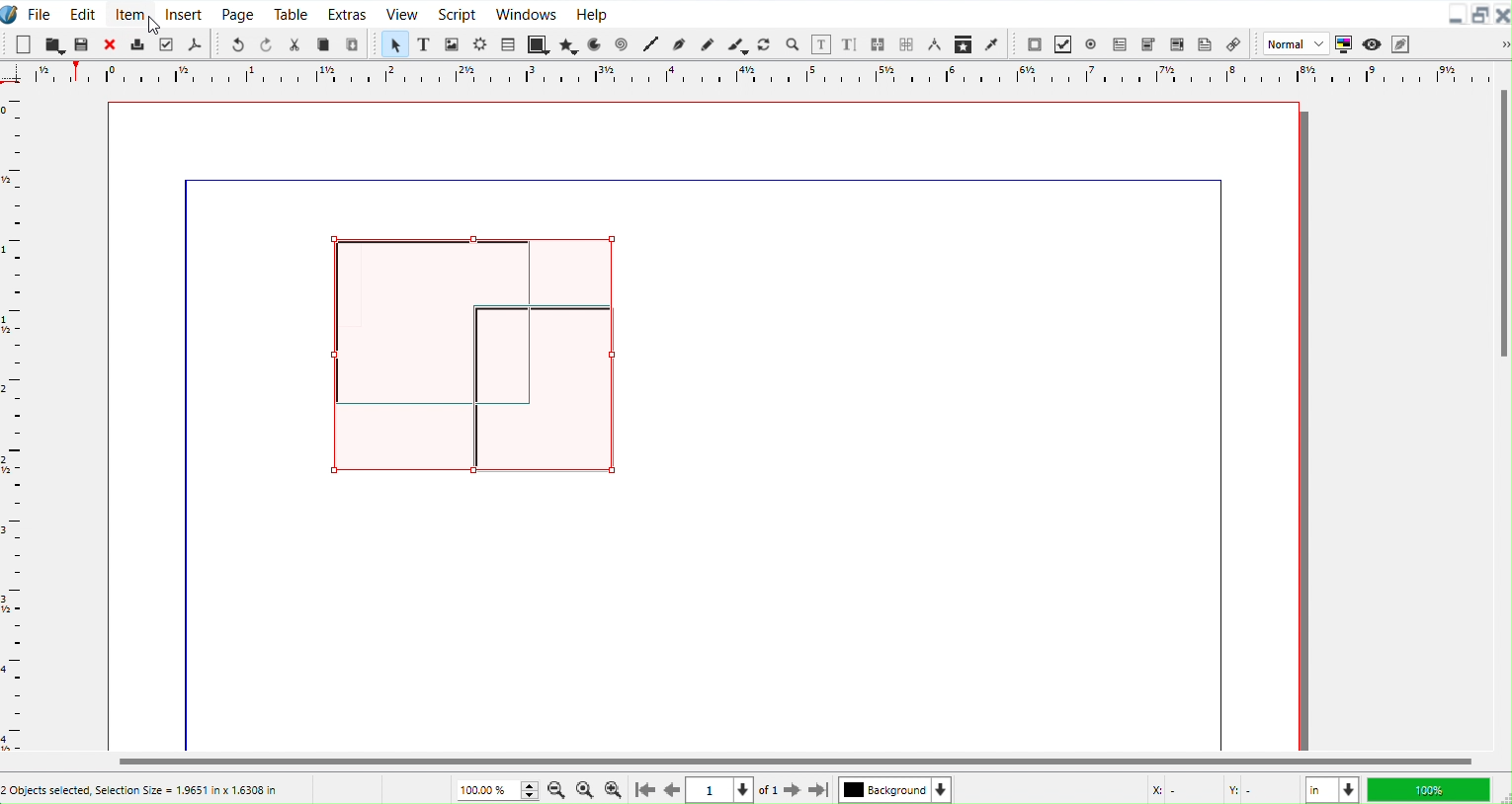 The height and width of the screenshot is (804, 1512). I want to click on PDF Combo Box, so click(1148, 43).